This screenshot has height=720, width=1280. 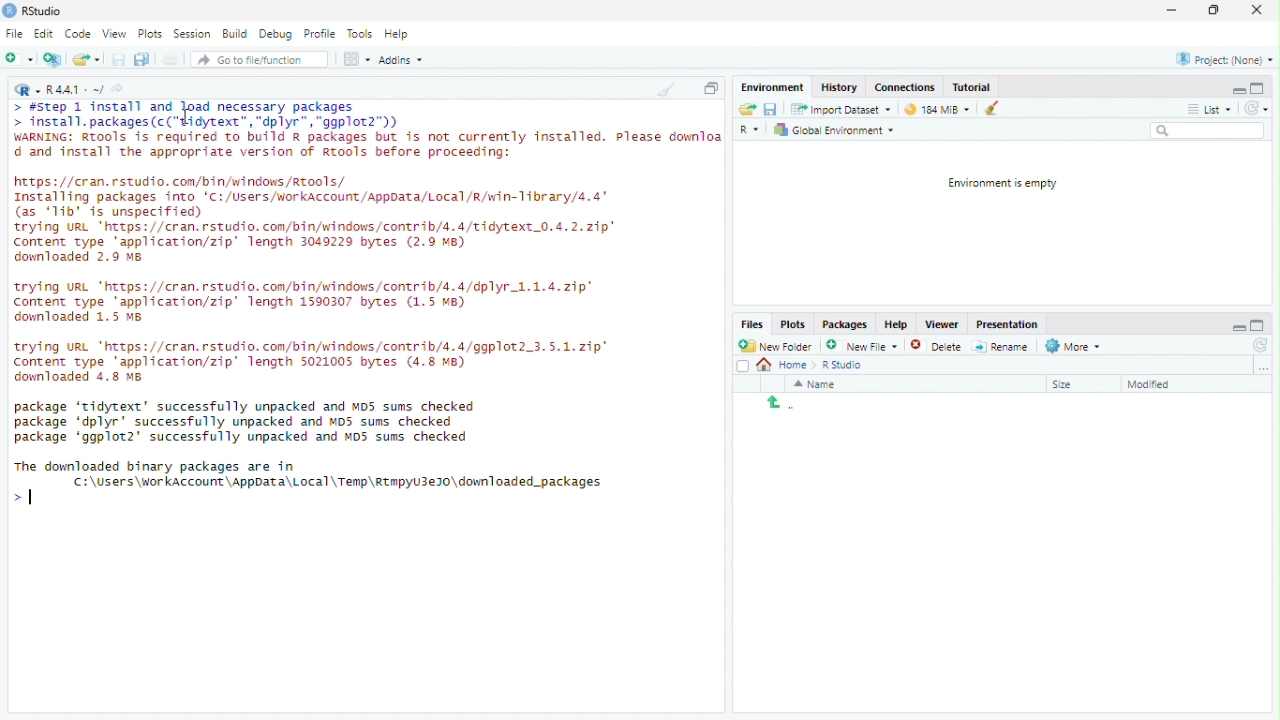 What do you see at coordinates (172, 59) in the screenshot?
I see `Print` at bounding box center [172, 59].